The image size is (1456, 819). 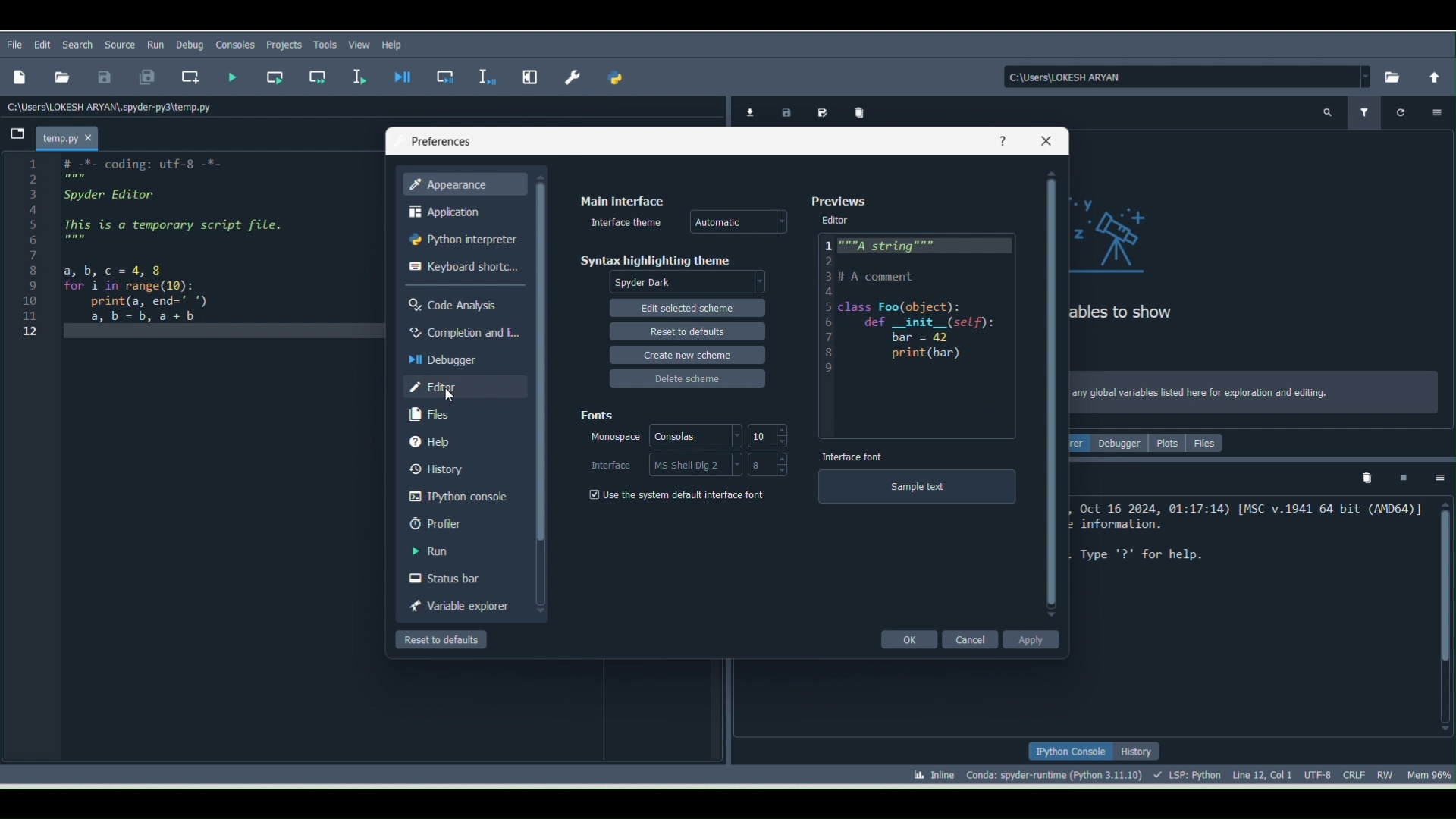 I want to click on Debug cell, so click(x=447, y=77).